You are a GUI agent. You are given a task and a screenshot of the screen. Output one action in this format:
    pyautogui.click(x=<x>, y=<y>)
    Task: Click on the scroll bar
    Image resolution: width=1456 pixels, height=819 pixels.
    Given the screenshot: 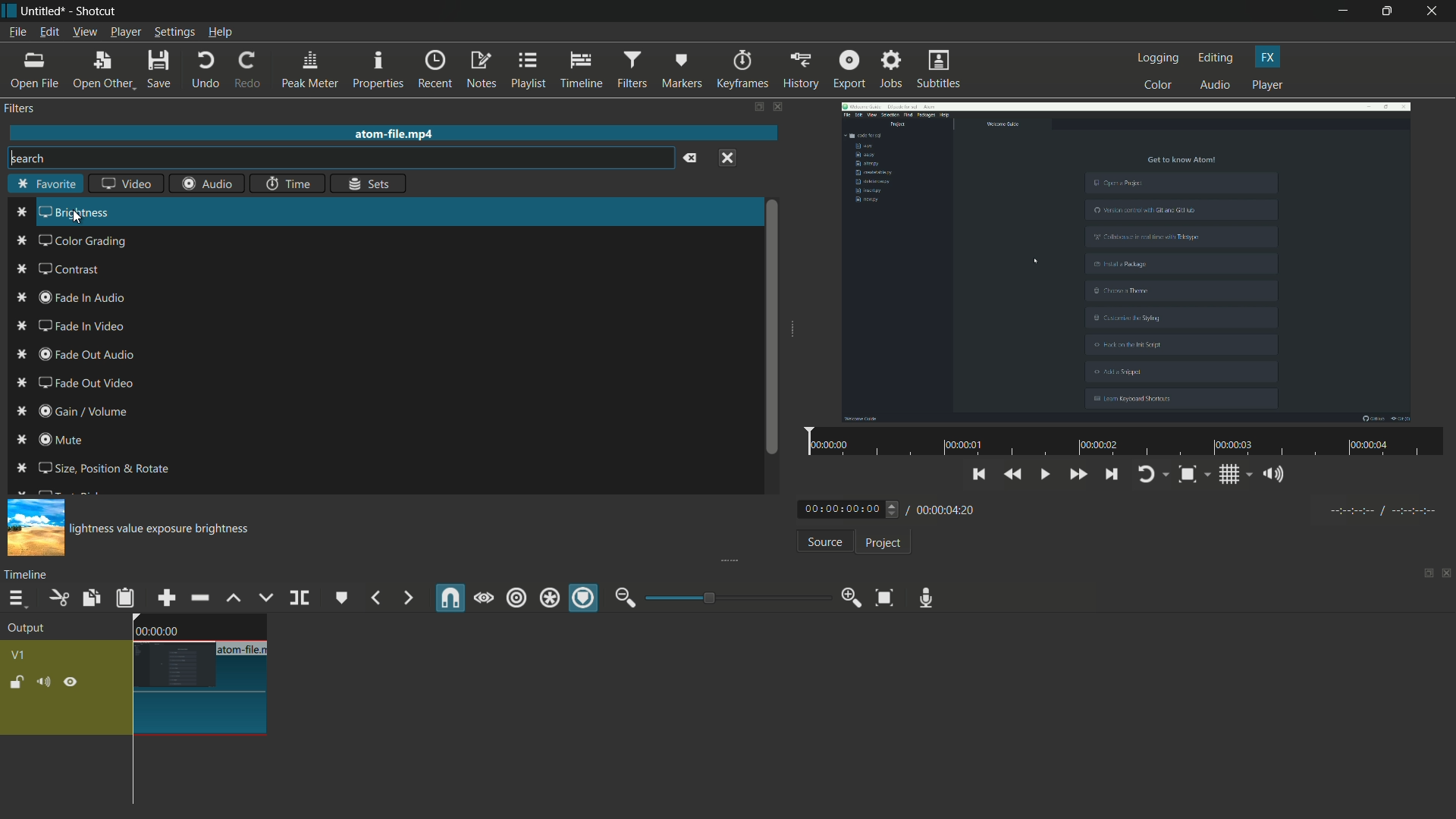 What is the action you would take?
    pyautogui.click(x=768, y=328)
    